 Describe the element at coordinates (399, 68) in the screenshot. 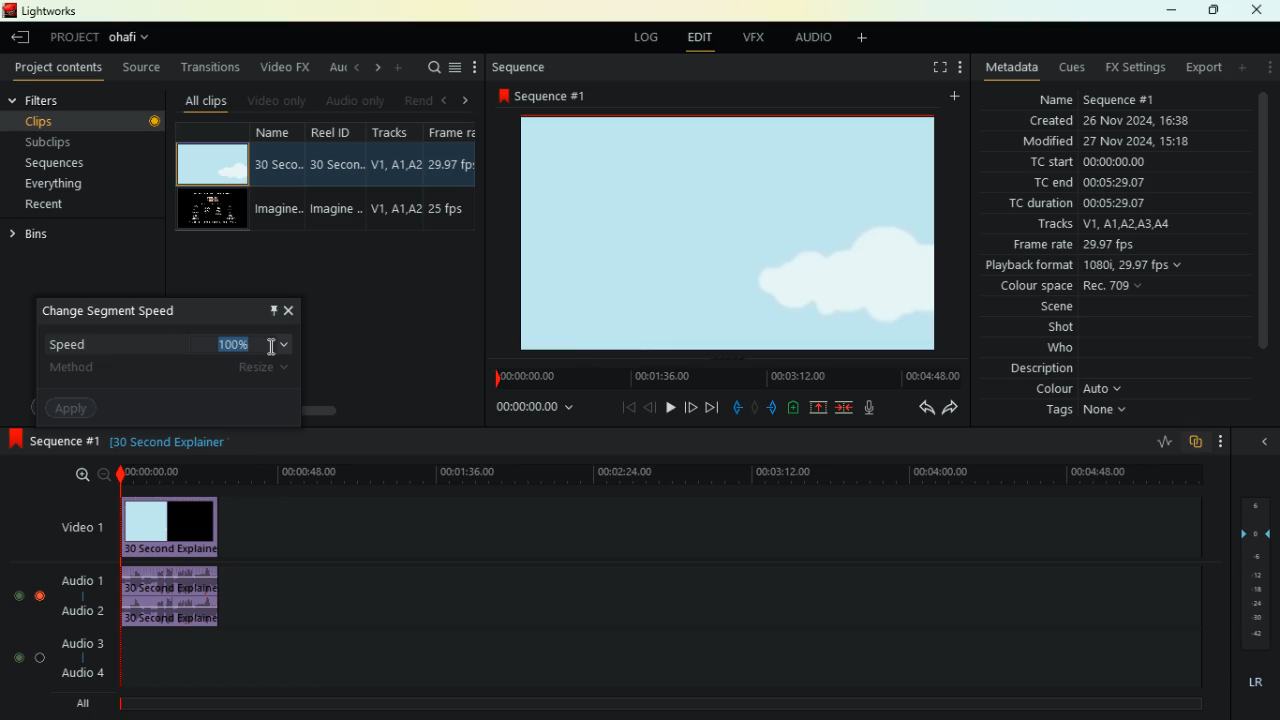

I see `add` at that location.